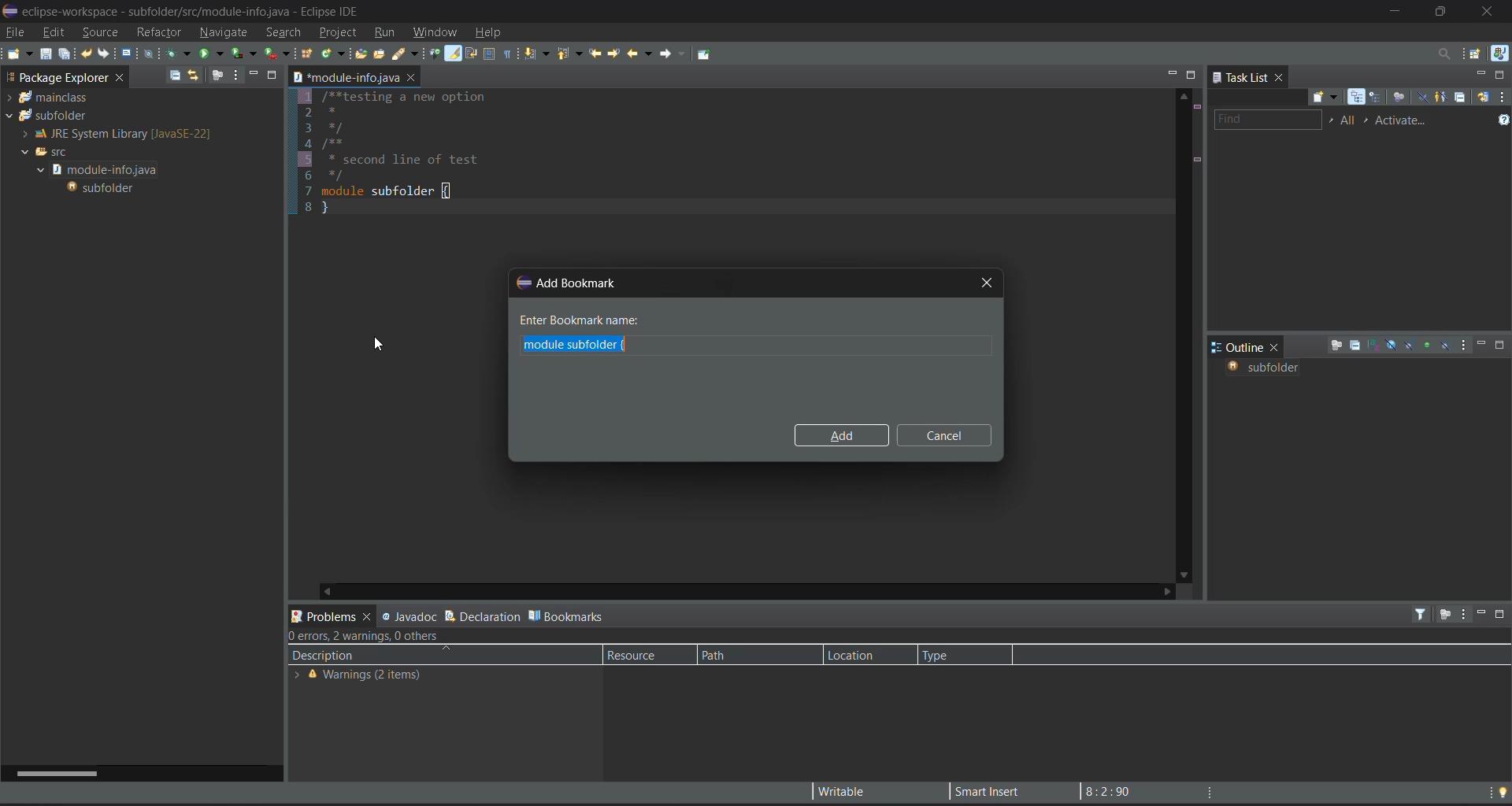  I want to click on description, so click(379, 656).